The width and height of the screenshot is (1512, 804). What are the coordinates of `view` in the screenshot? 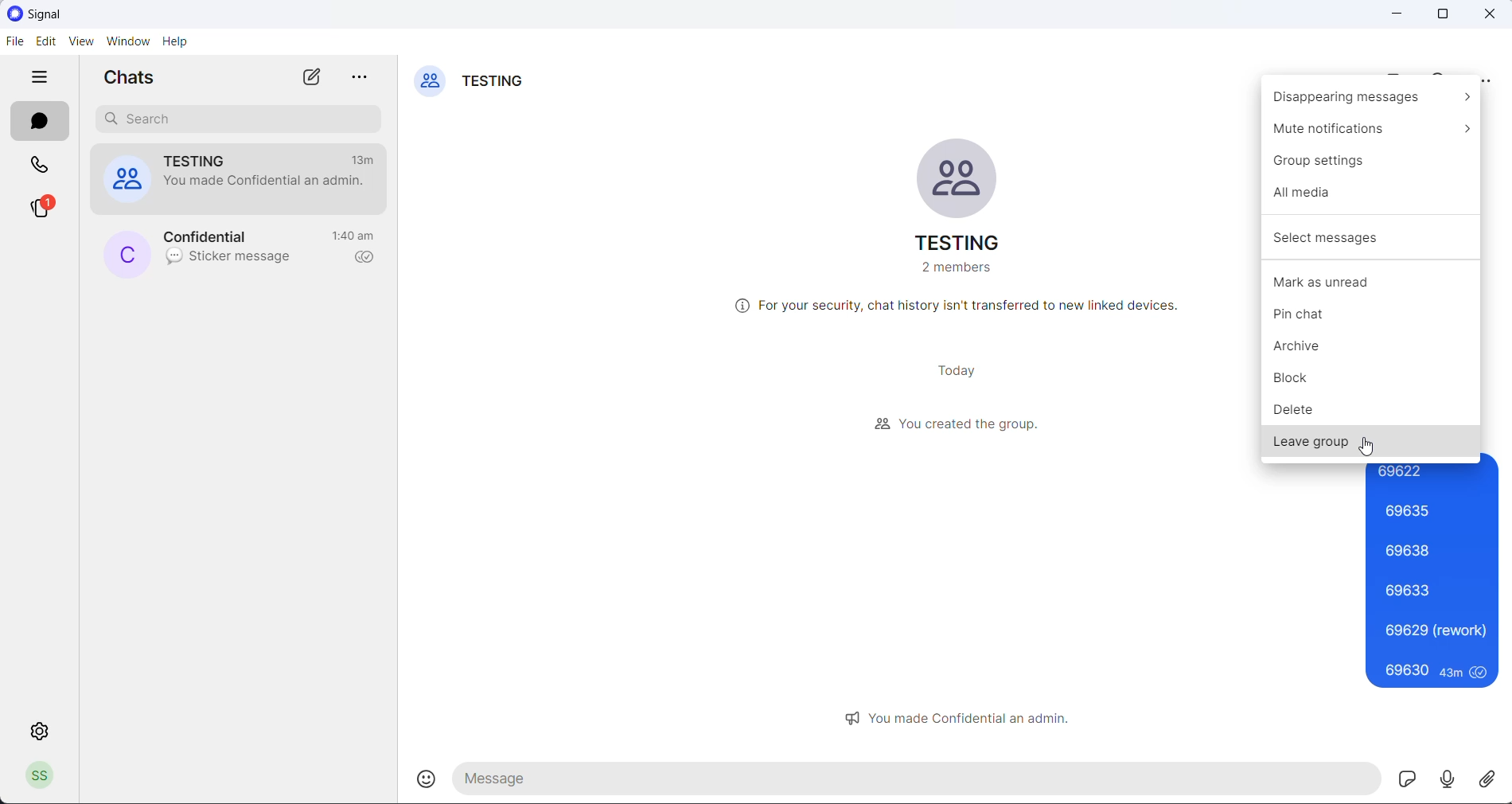 It's located at (80, 44).